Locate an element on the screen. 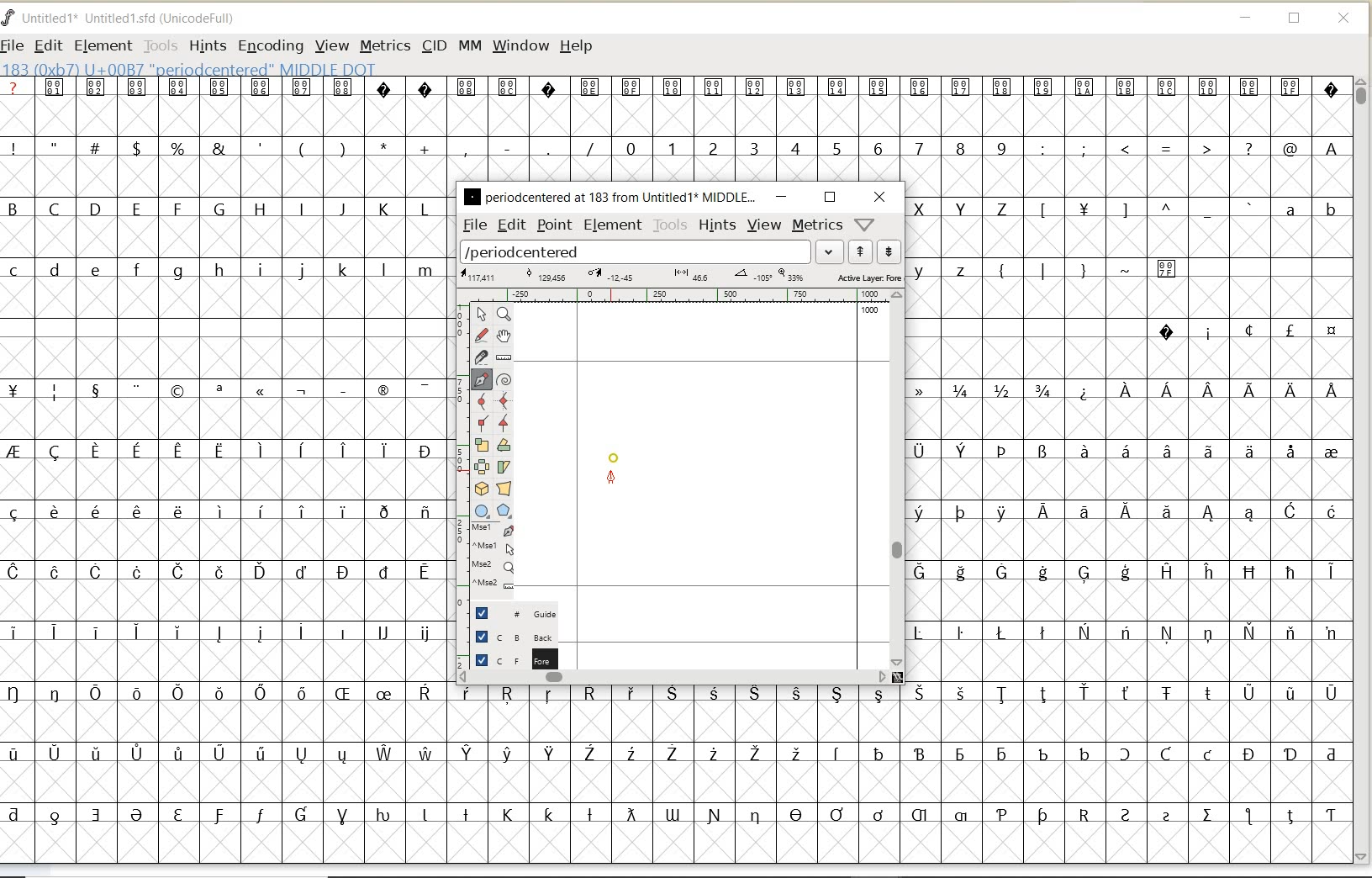 This screenshot has width=1372, height=878. active layer is located at coordinates (679, 277).